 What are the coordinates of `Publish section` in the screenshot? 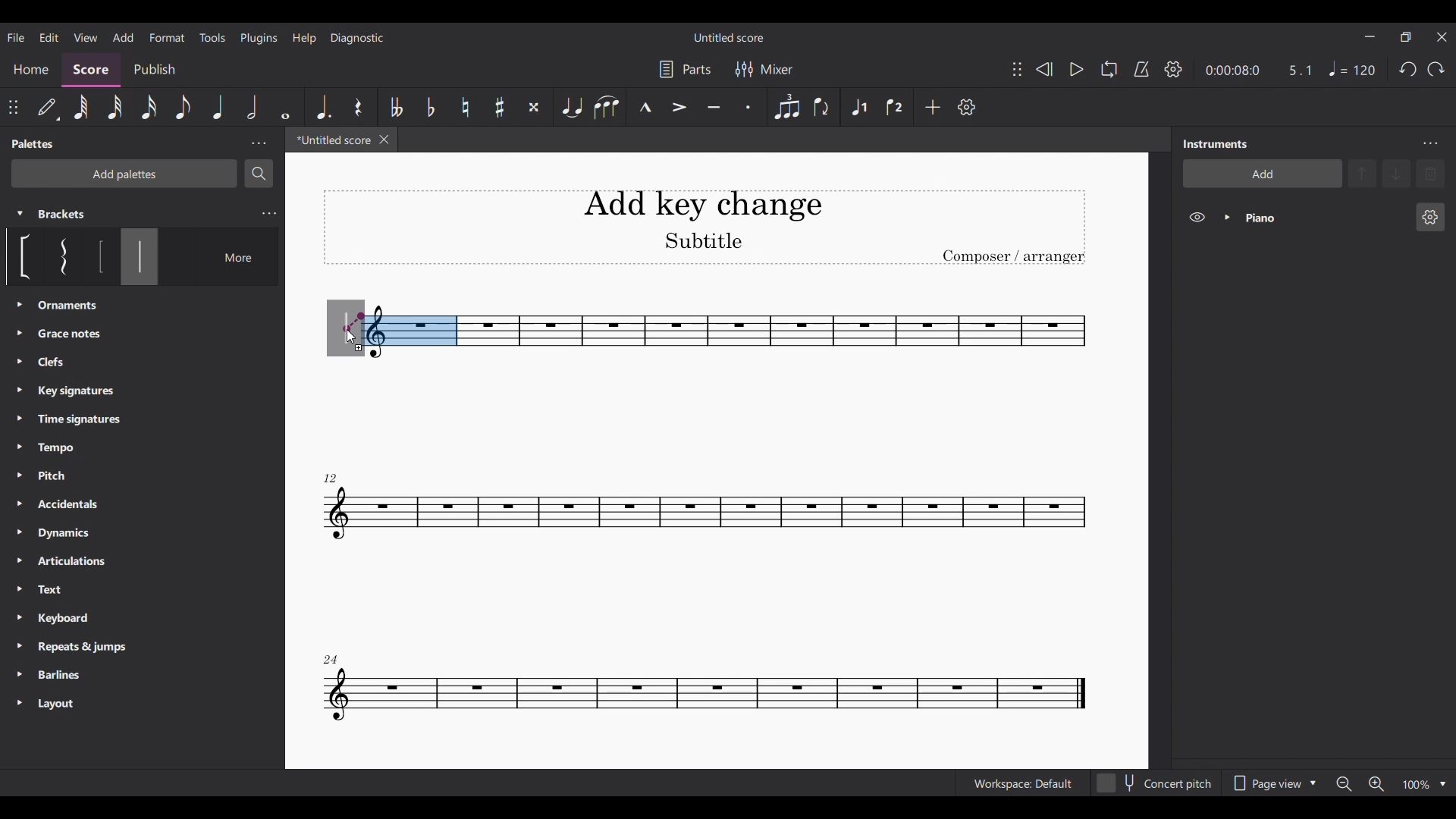 It's located at (154, 70).